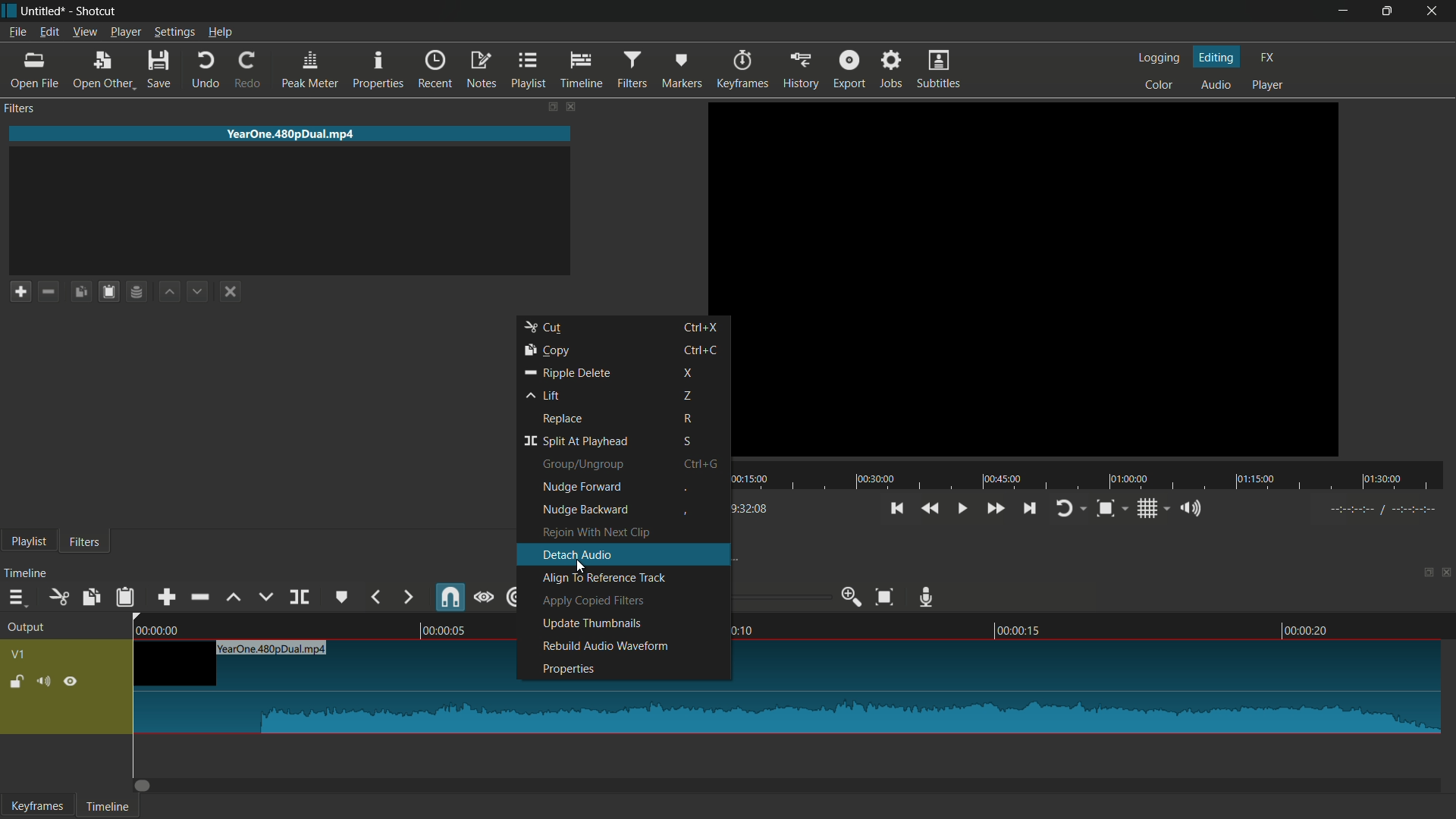  Describe the element at coordinates (685, 490) in the screenshot. I see `keyboard shortcut` at that location.